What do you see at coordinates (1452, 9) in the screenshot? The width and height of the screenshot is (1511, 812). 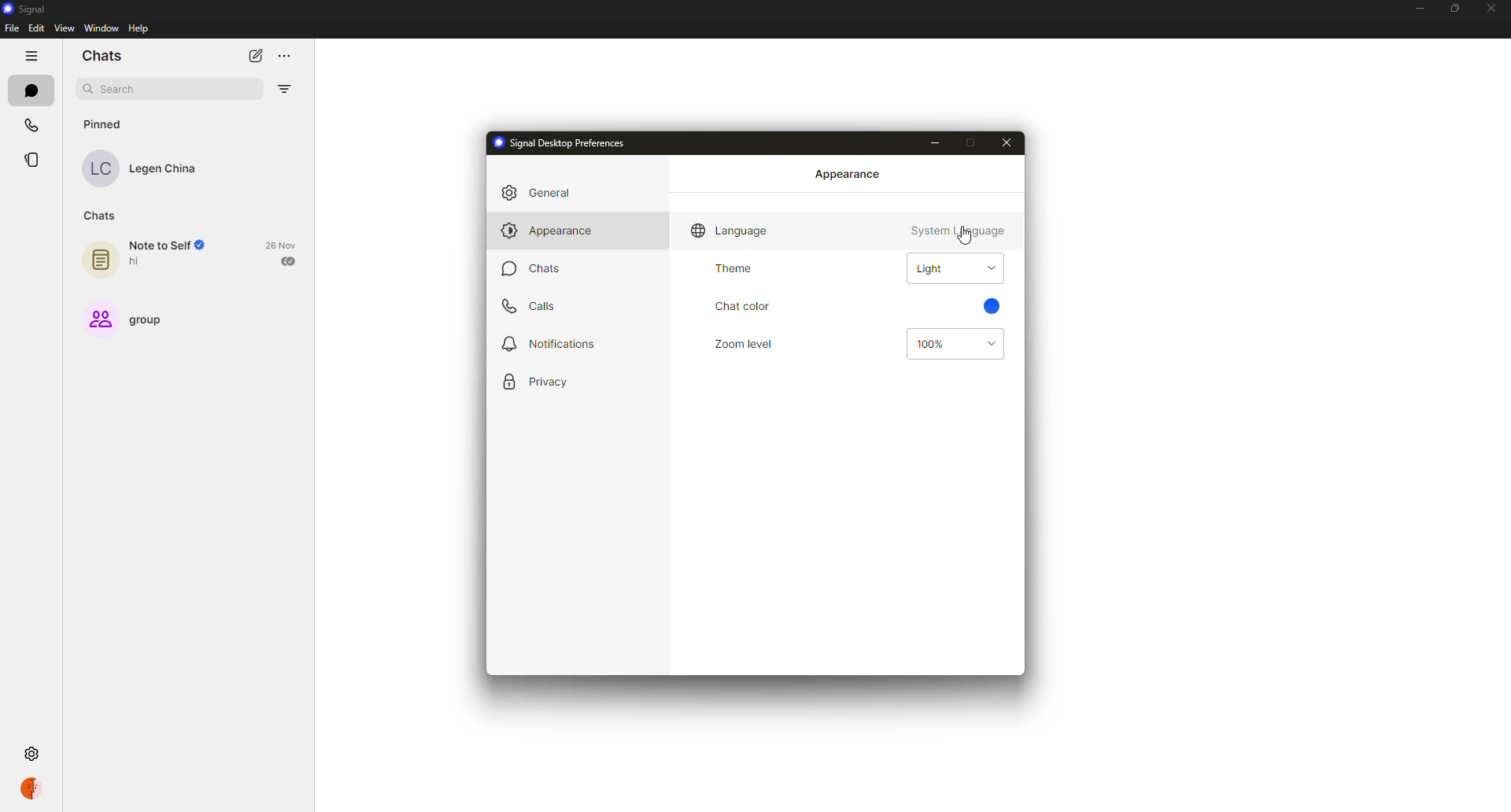 I see `maximize` at bounding box center [1452, 9].